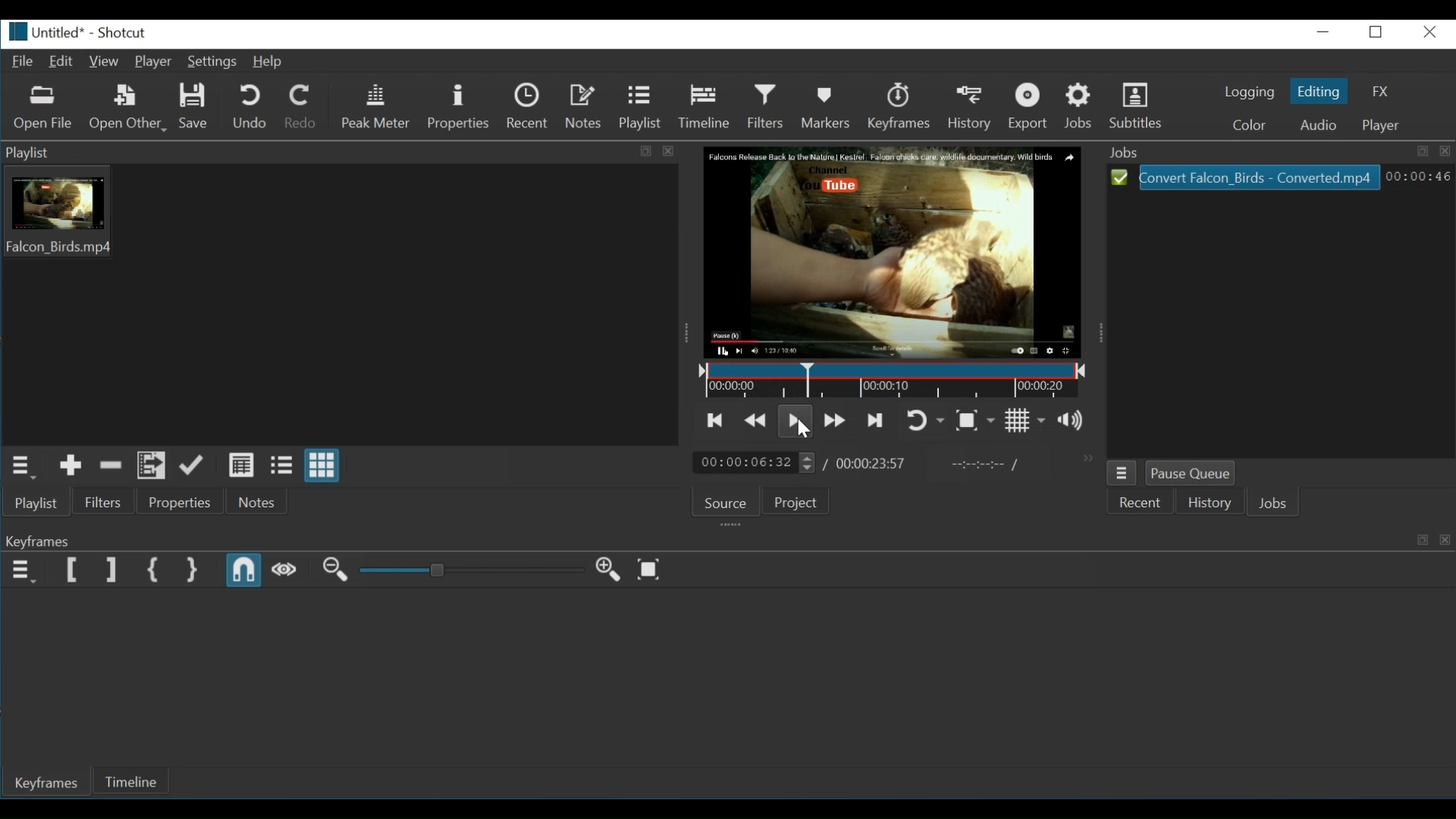 This screenshot has height=819, width=1456. I want to click on Set First Simple Keyframe, so click(153, 570).